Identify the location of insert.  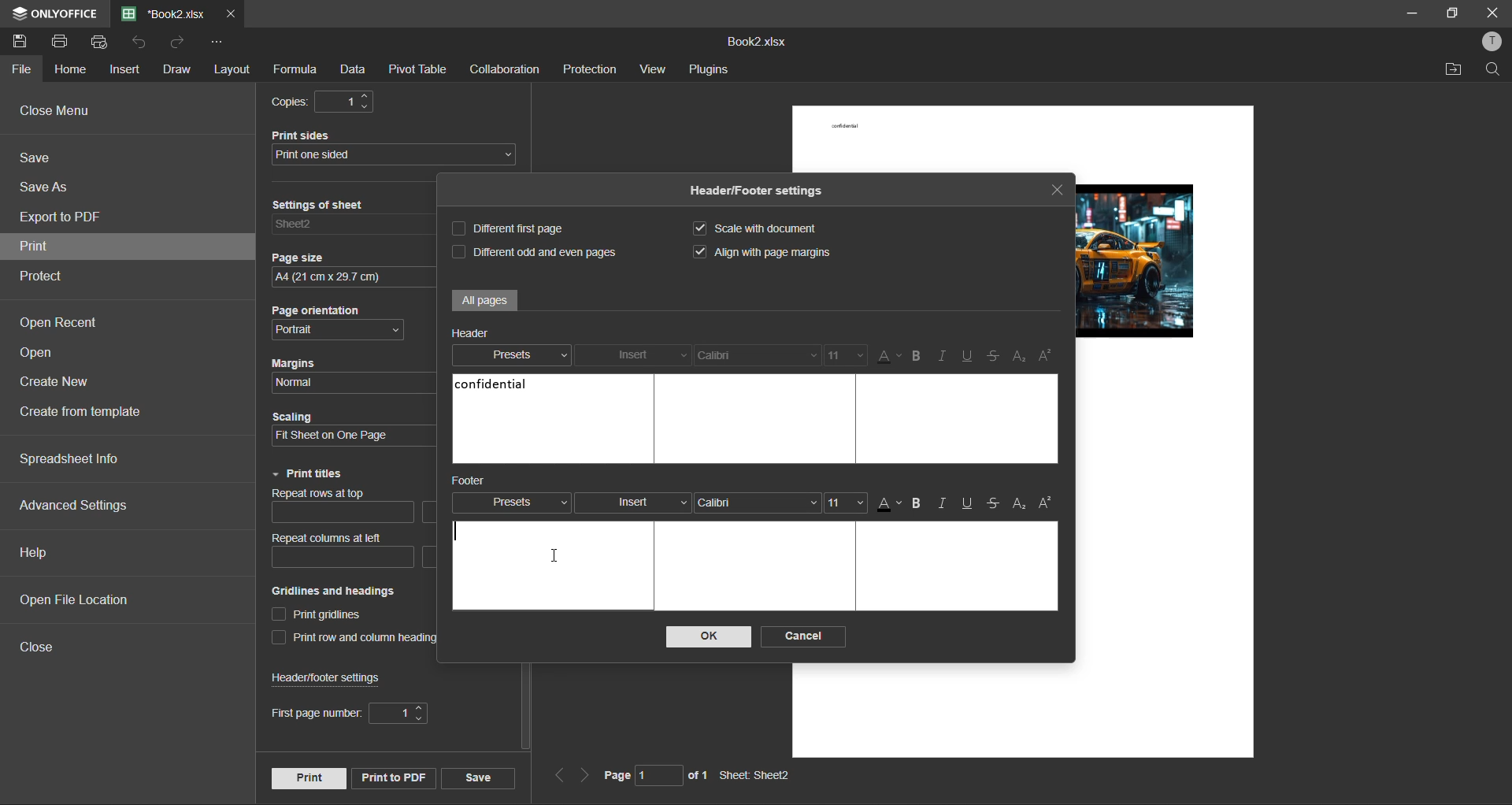
(634, 355).